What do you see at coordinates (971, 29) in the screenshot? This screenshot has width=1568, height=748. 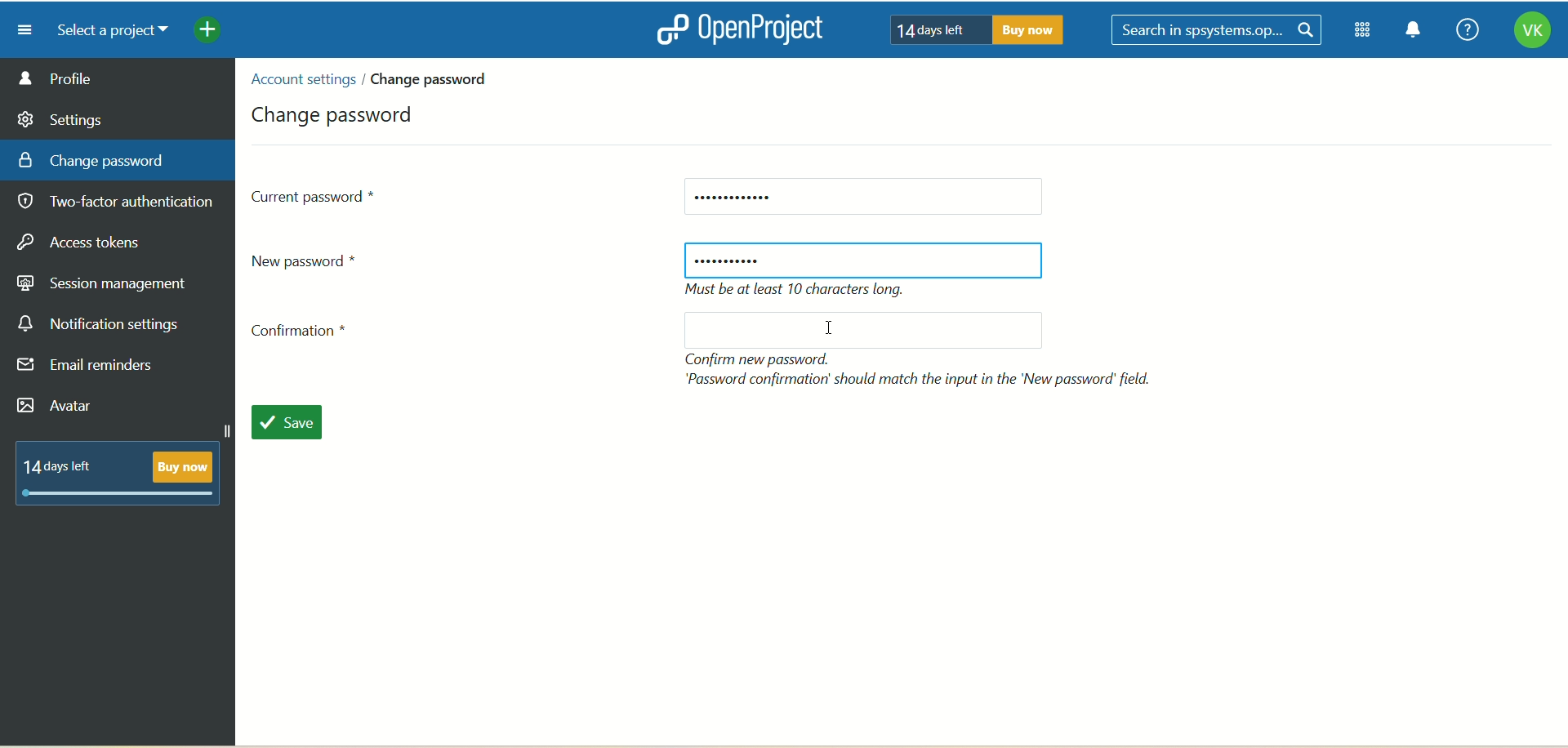 I see `text` at bounding box center [971, 29].